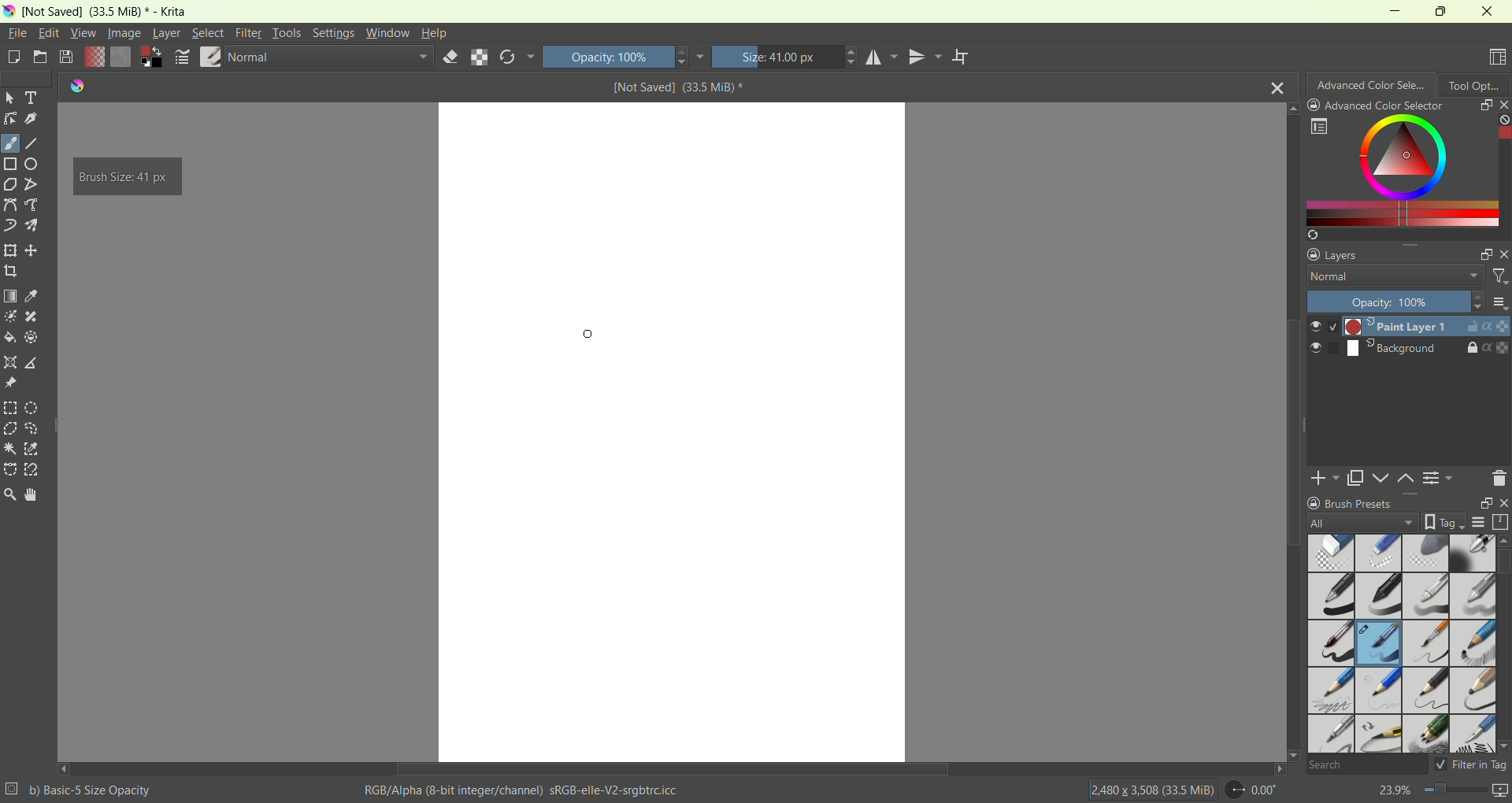 This screenshot has width=1512, height=803. What do you see at coordinates (1499, 478) in the screenshot?
I see `delete` at bounding box center [1499, 478].